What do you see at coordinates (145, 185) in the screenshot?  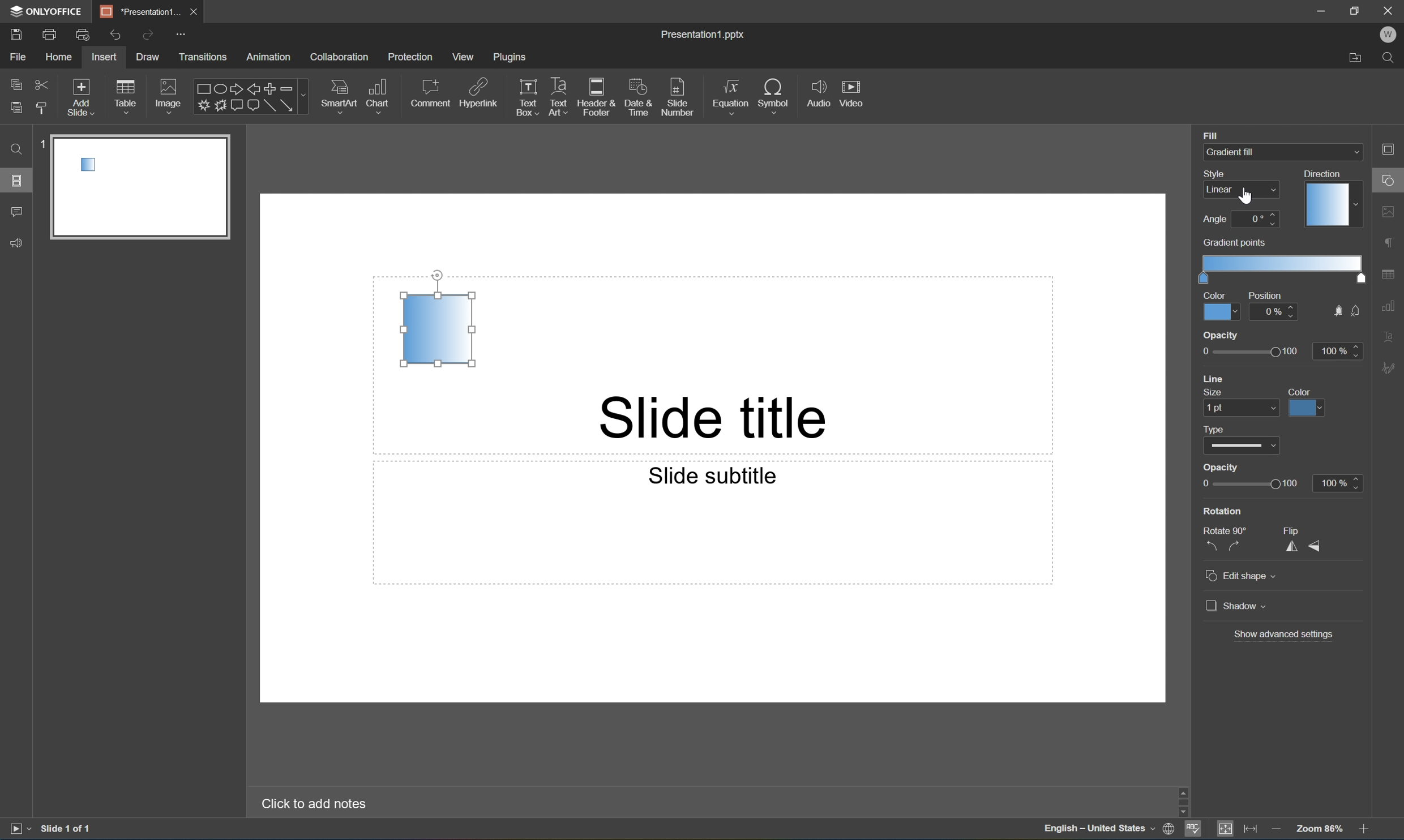 I see `Slide` at bounding box center [145, 185].